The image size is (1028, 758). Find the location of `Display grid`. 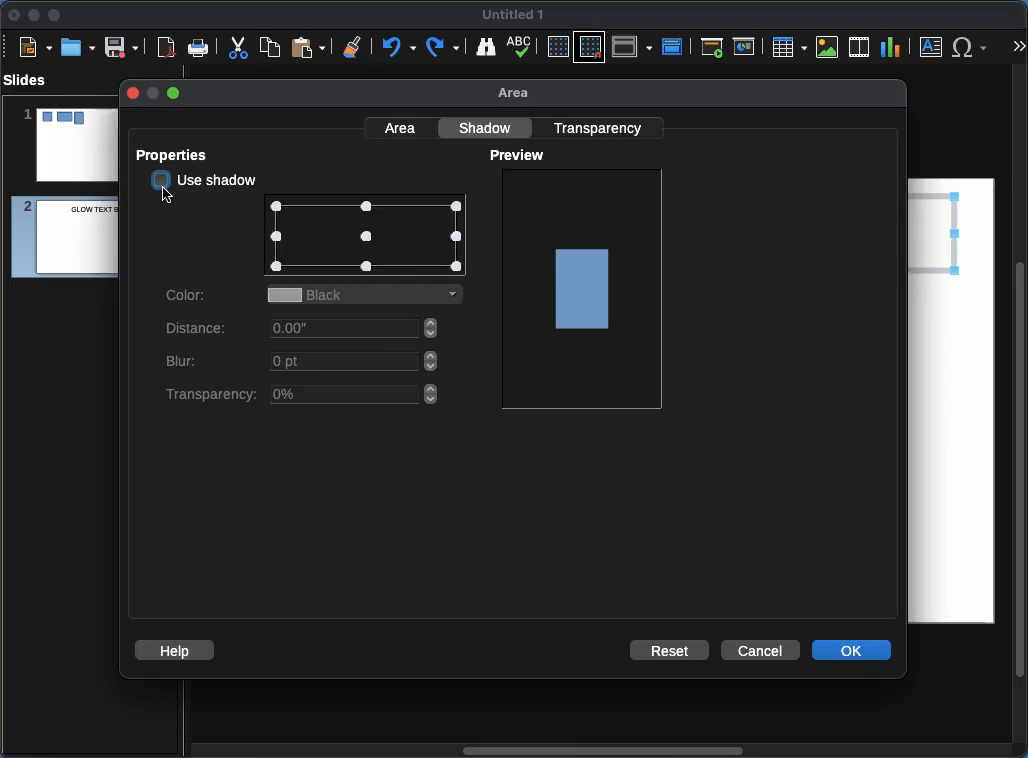

Display grid is located at coordinates (557, 48).